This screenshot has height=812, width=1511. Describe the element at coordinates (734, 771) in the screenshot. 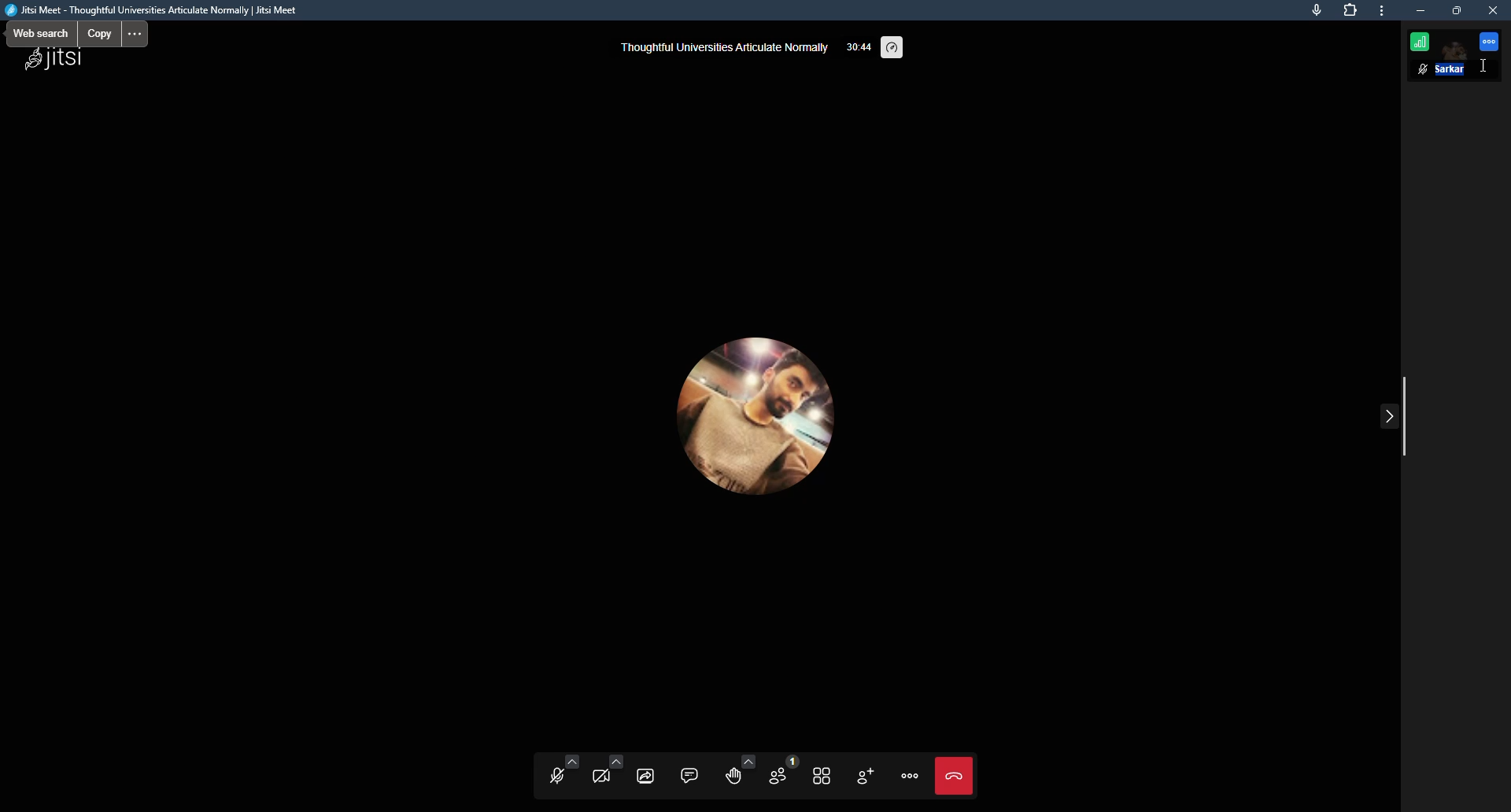

I see `raise your hand` at that location.